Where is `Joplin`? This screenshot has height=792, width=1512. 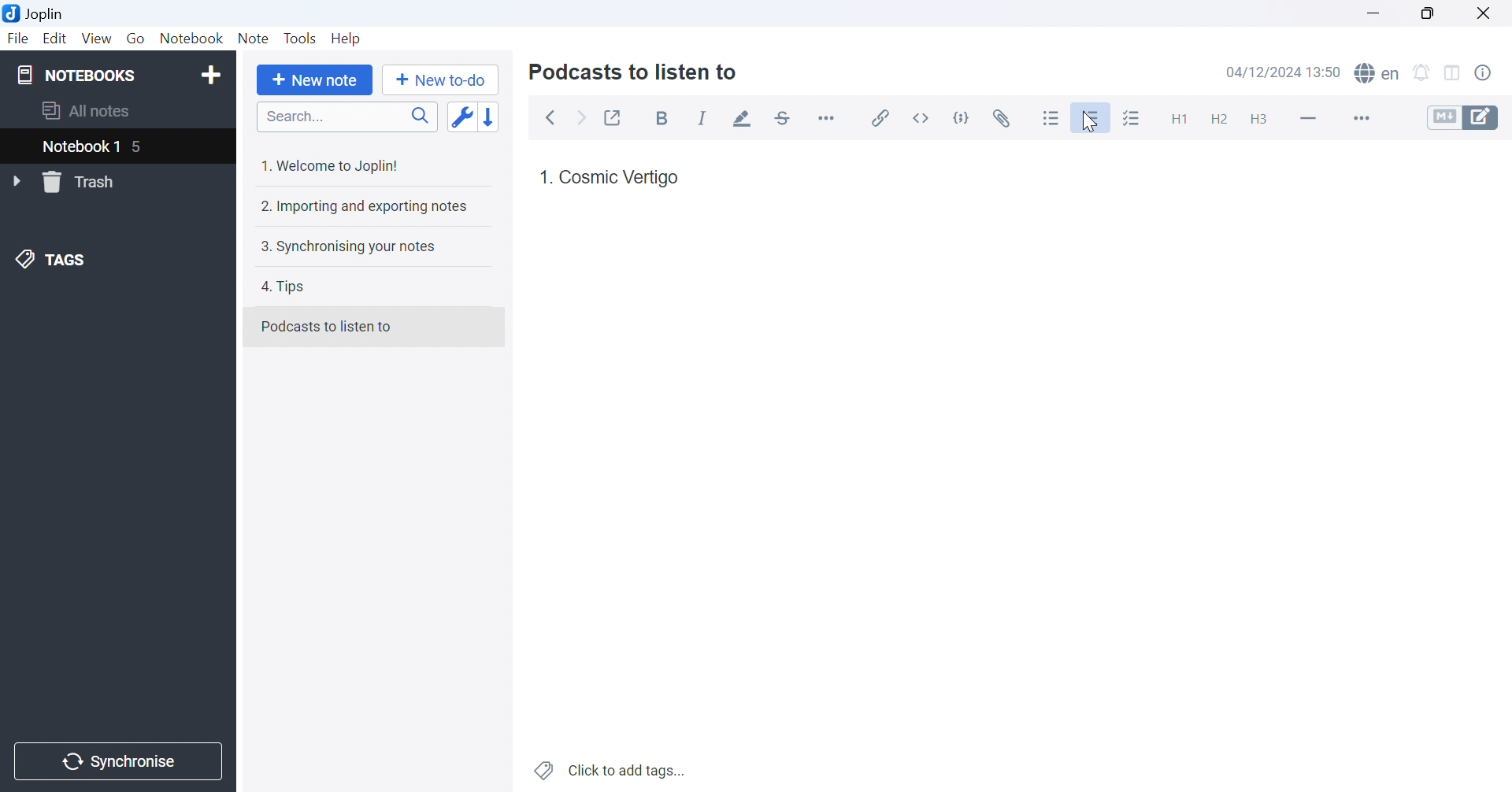
Joplin is located at coordinates (36, 13).